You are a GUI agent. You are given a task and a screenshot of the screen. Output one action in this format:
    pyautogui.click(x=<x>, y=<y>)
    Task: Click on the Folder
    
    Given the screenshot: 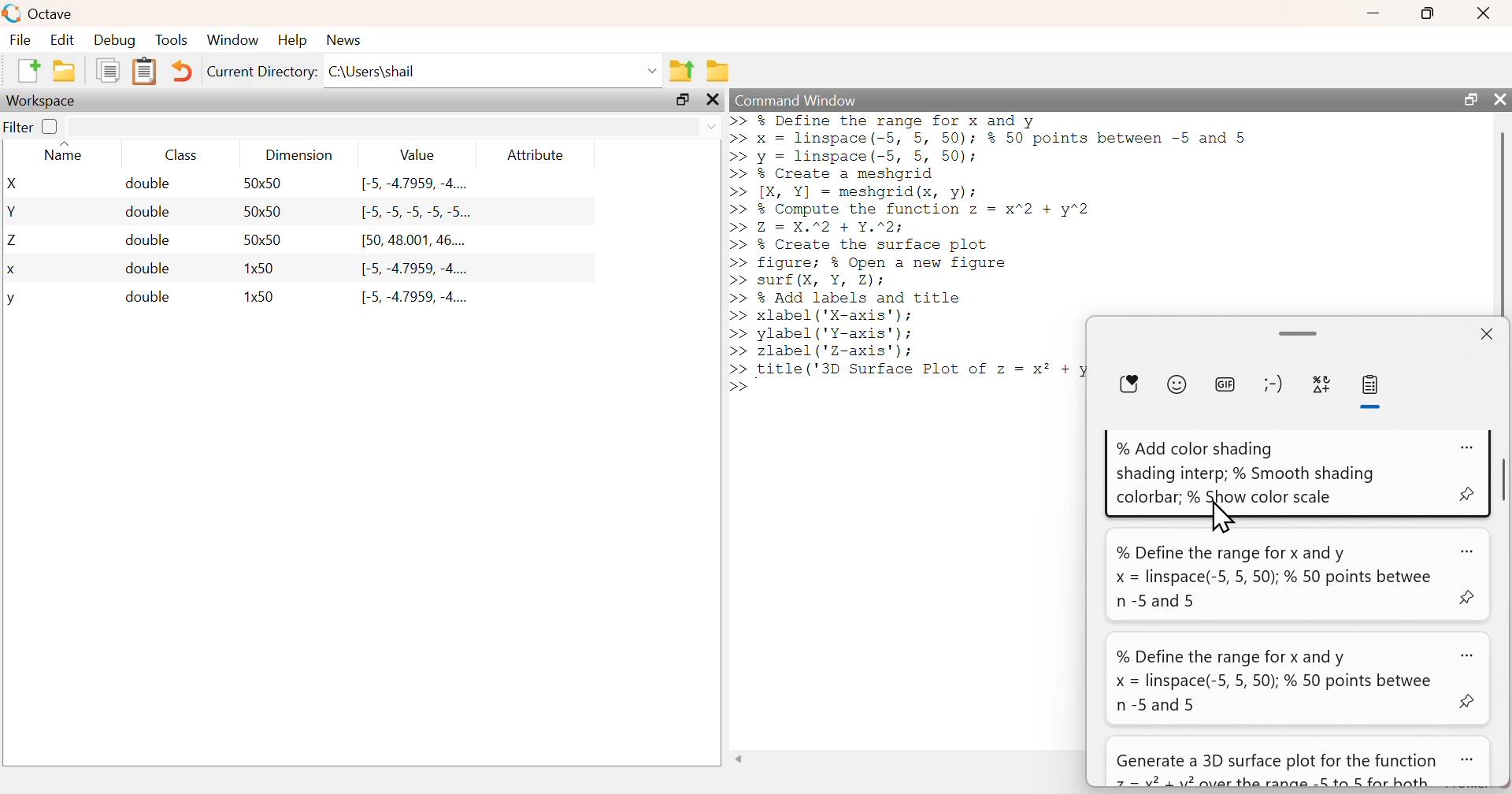 What is the action you would take?
    pyautogui.click(x=718, y=71)
    